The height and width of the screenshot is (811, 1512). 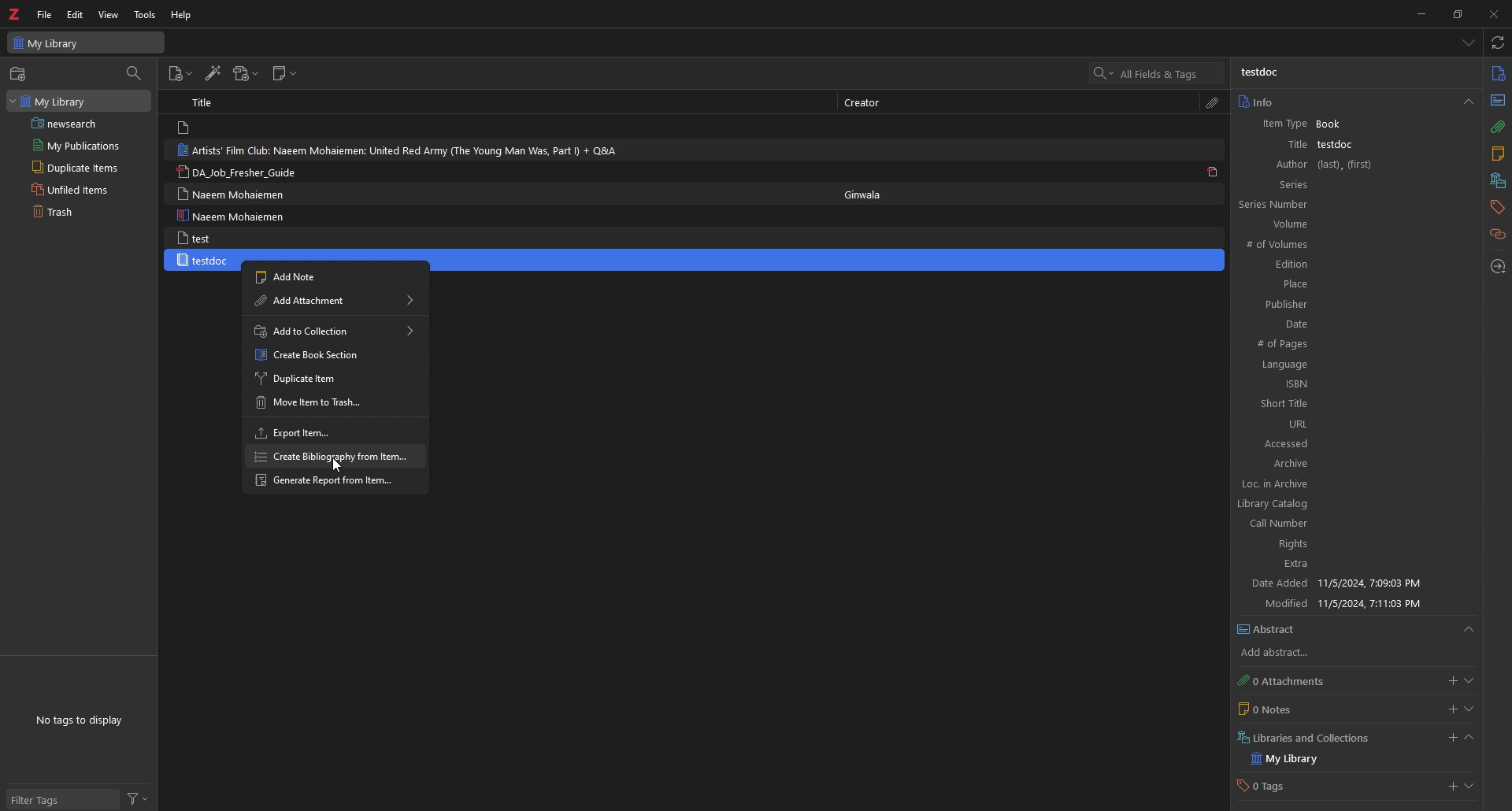 I want to click on testdoc, so click(x=205, y=261).